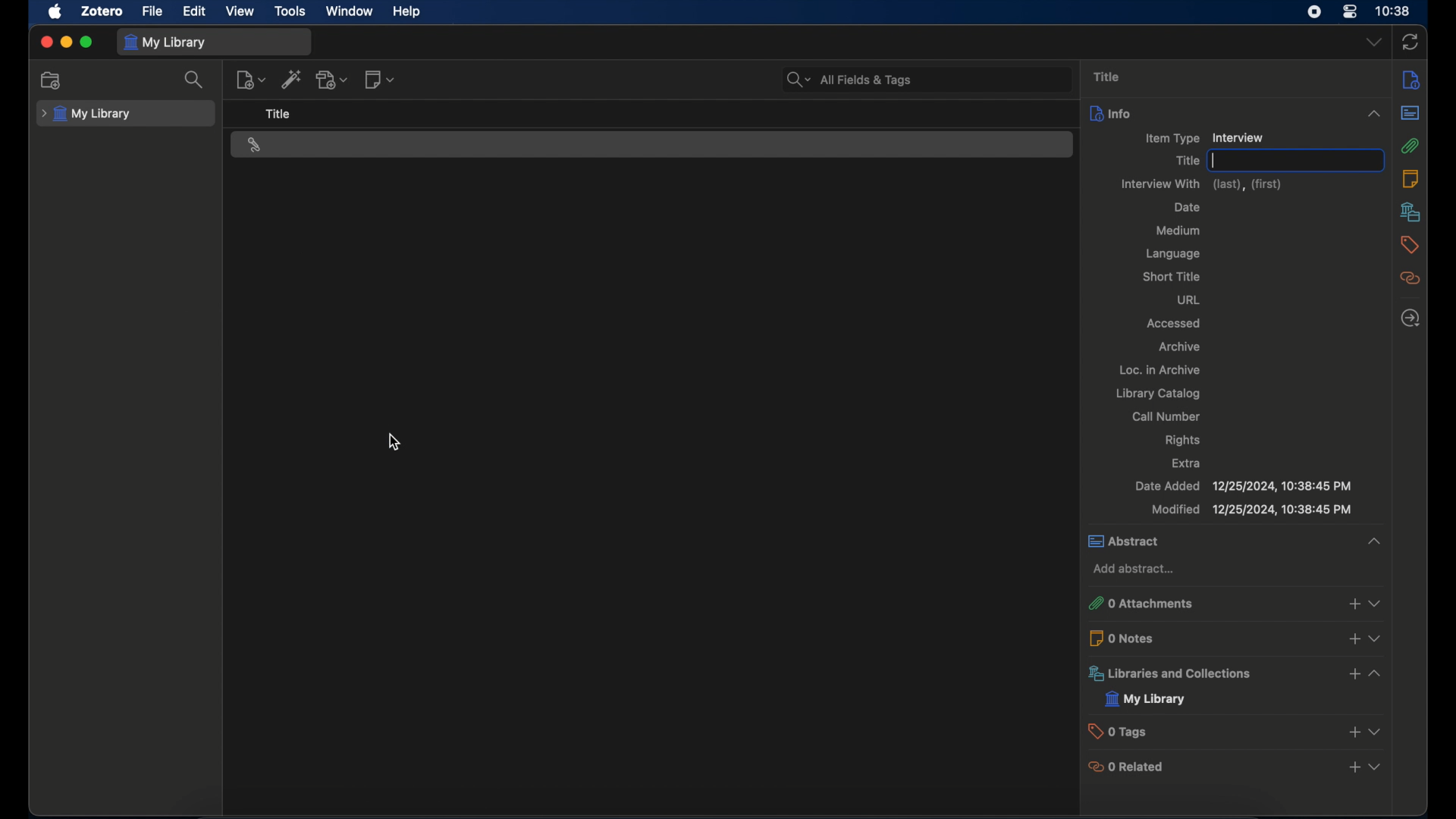 The width and height of the screenshot is (1456, 819). Describe the element at coordinates (153, 12) in the screenshot. I see `file` at that location.